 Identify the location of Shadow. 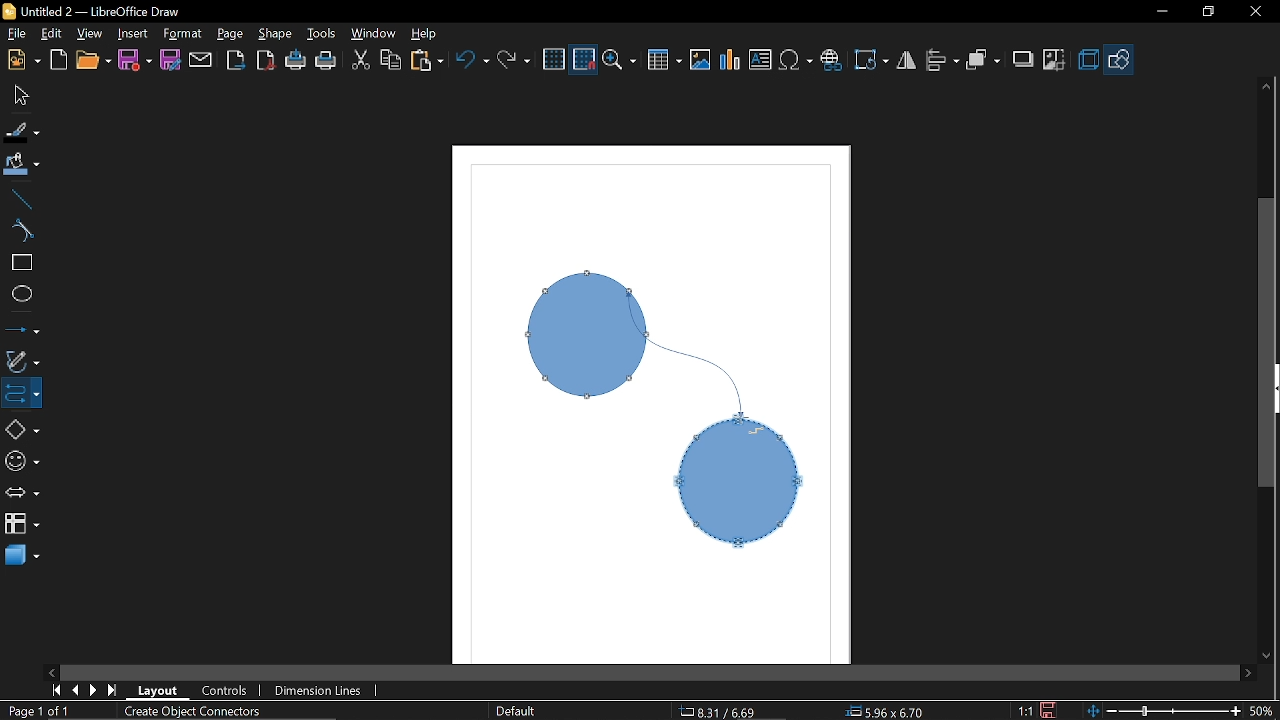
(1022, 60).